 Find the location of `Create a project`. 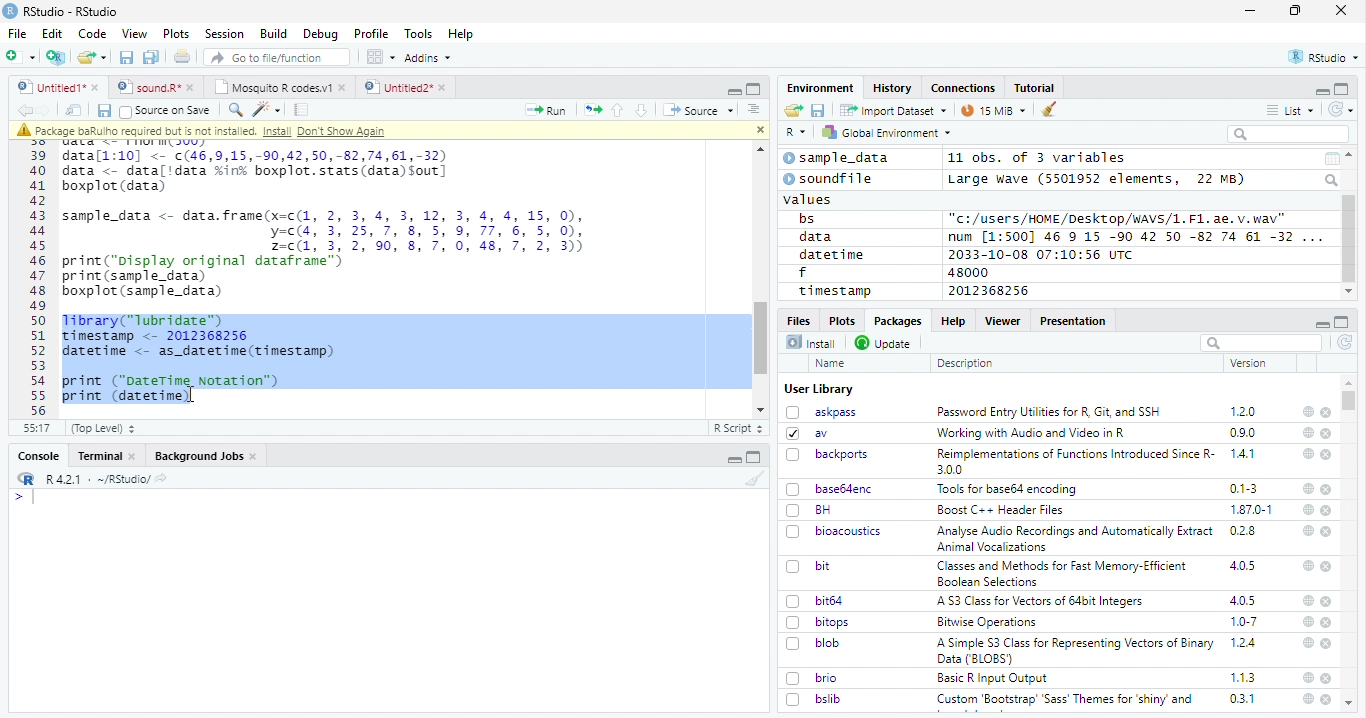

Create a project is located at coordinates (56, 57).